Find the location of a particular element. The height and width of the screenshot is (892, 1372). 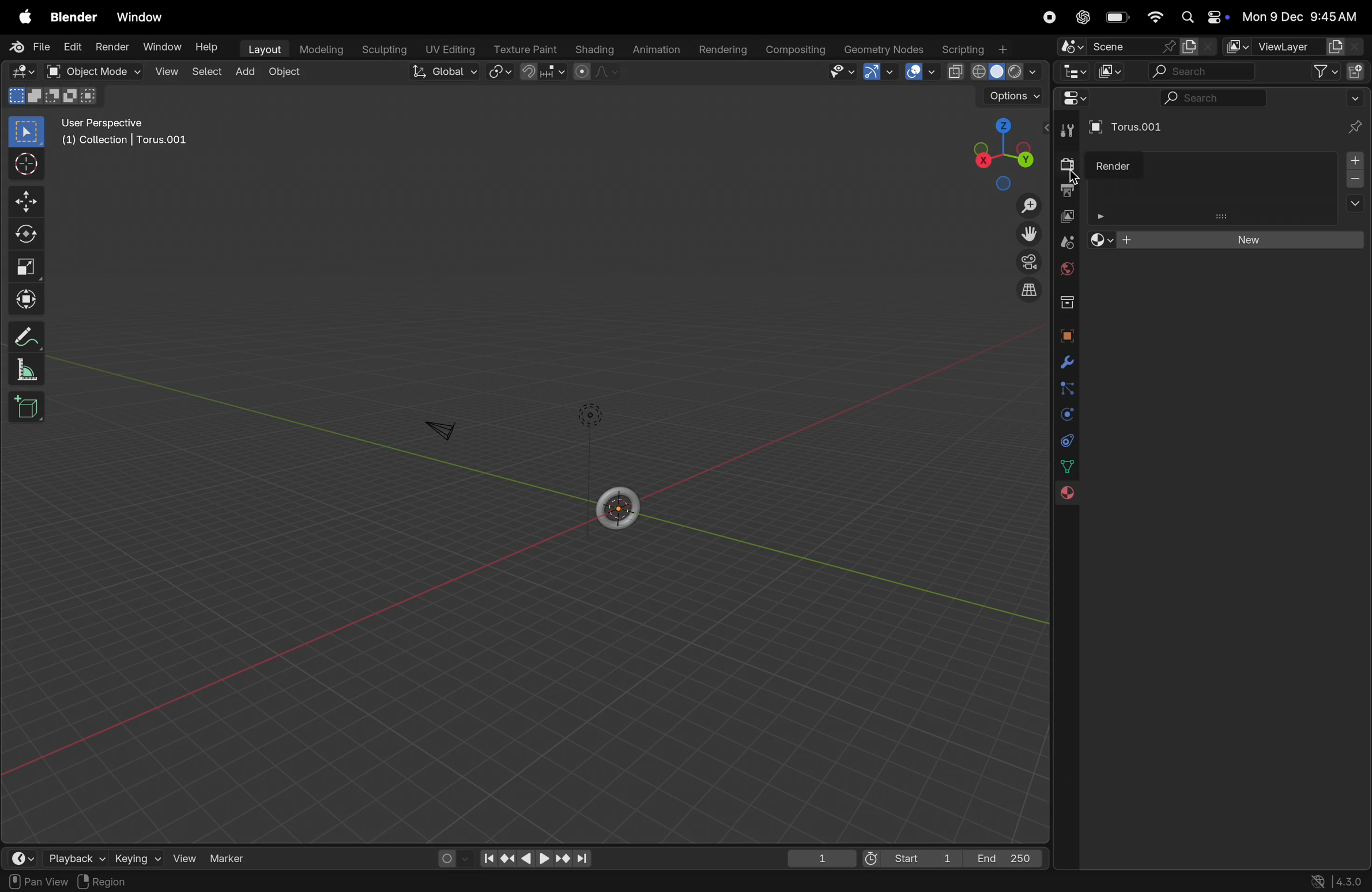

keying is located at coordinates (138, 859).